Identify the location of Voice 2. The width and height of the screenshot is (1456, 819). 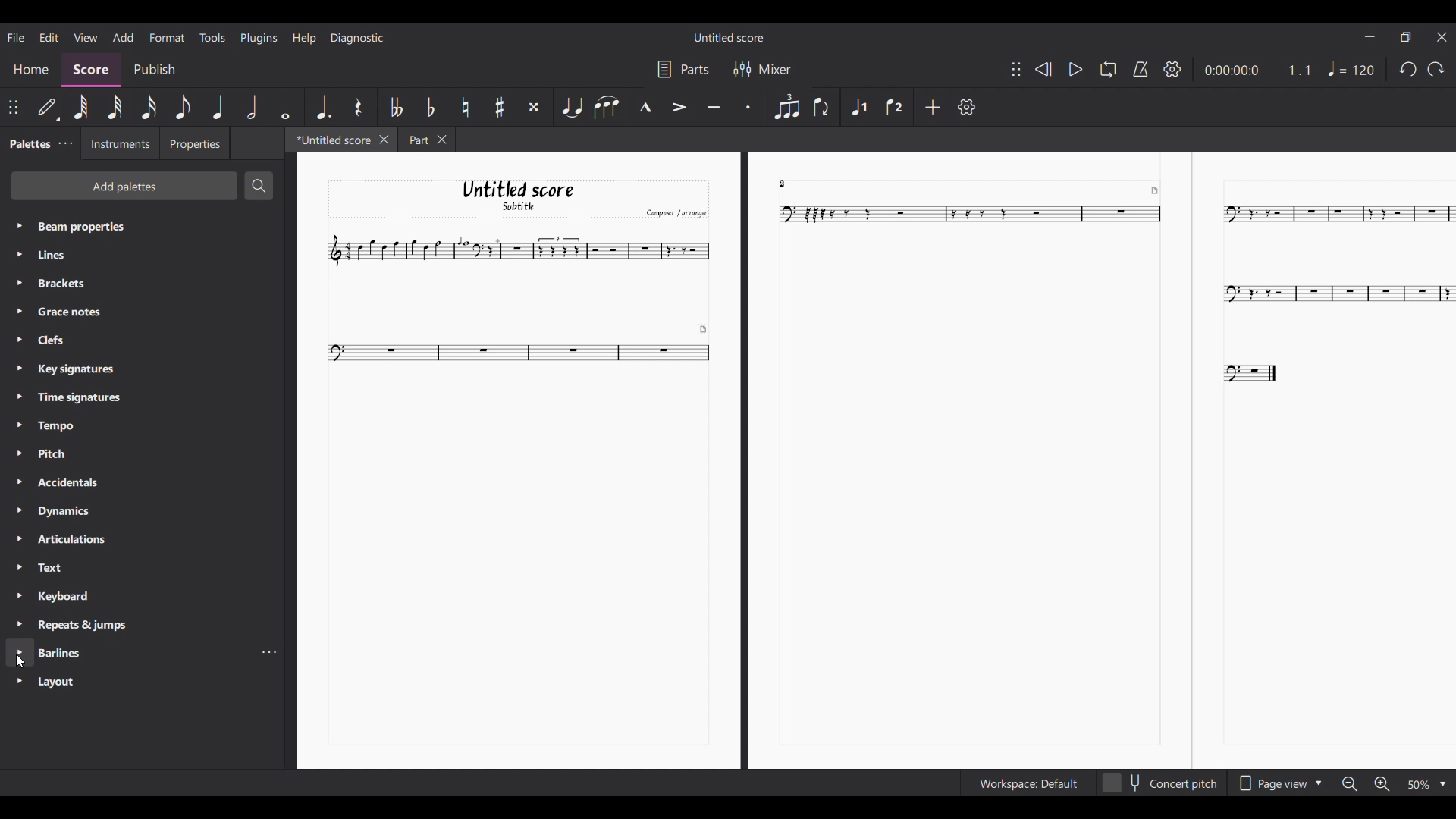
(894, 107).